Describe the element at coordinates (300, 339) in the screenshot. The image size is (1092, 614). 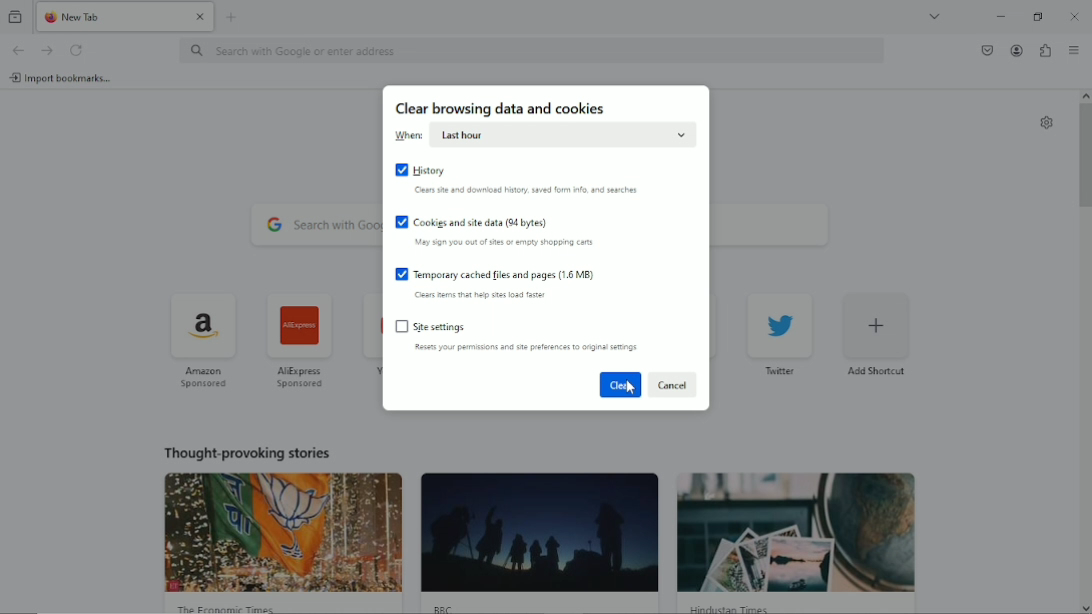
I see `AliExpress Sponsored` at that location.